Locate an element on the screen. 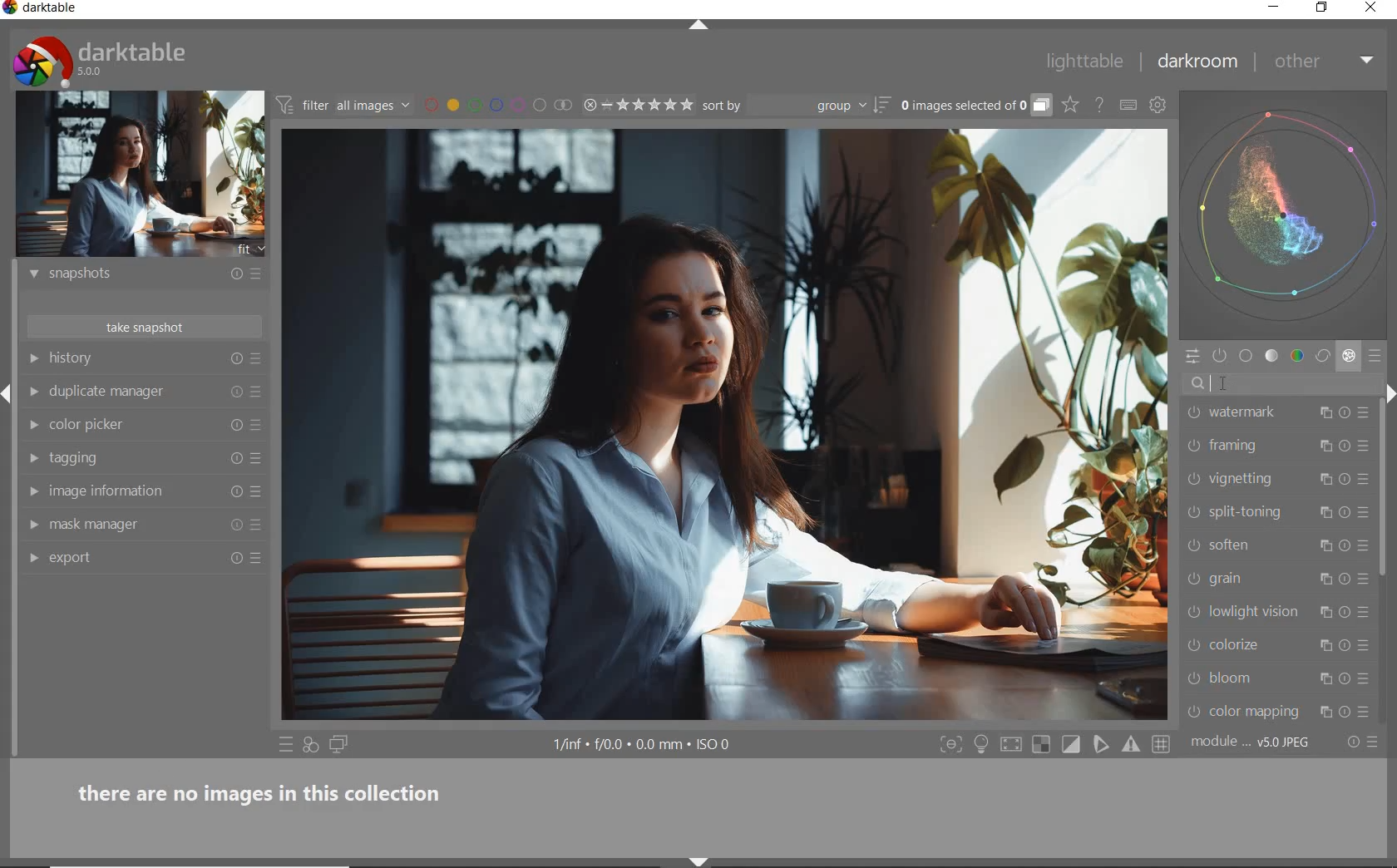 The width and height of the screenshot is (1397, 868). soften is located at coordinates (1258, 545).